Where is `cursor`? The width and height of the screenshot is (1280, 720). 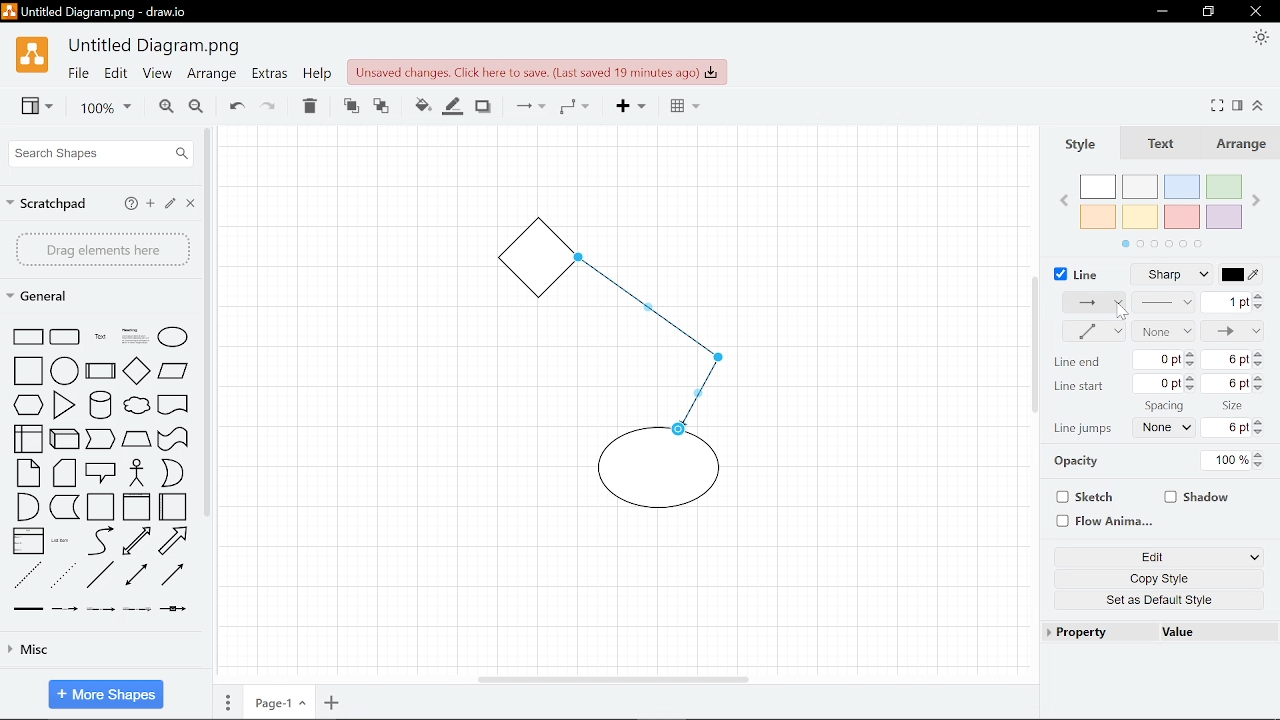 cursor is located at coordinates (1121, 313).